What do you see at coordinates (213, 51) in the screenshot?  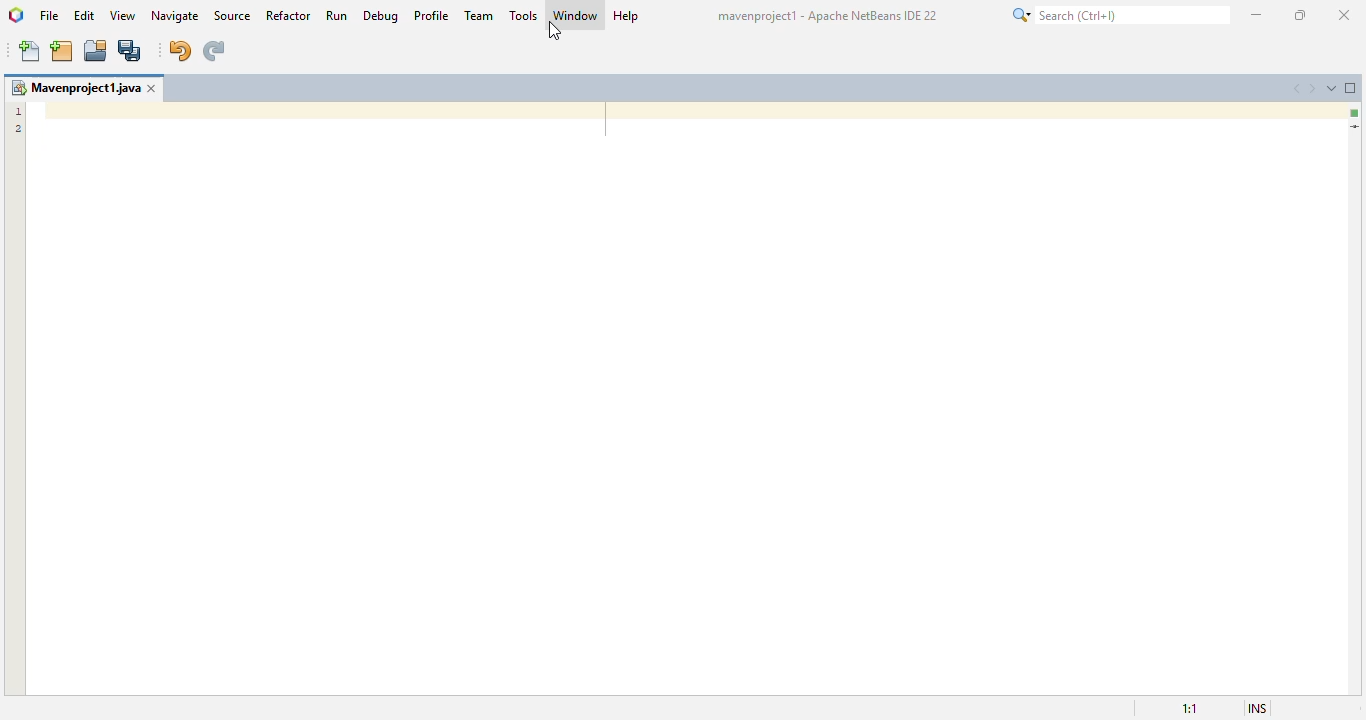 I see `redo` at bounding box center [213, 51].